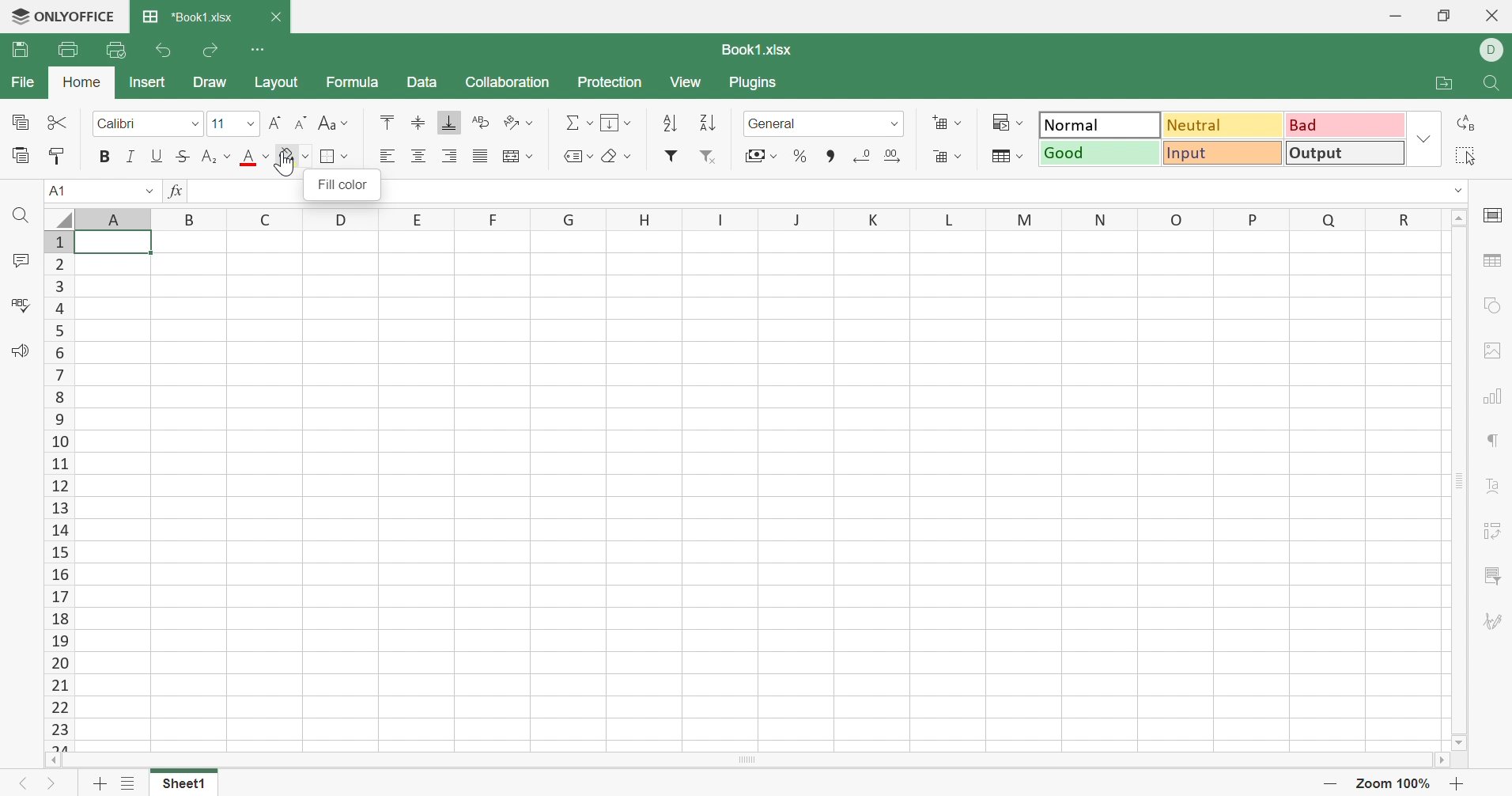 The height and width of the screenshot is (796, 1512). I want to click on Insert, so click(148, 81).